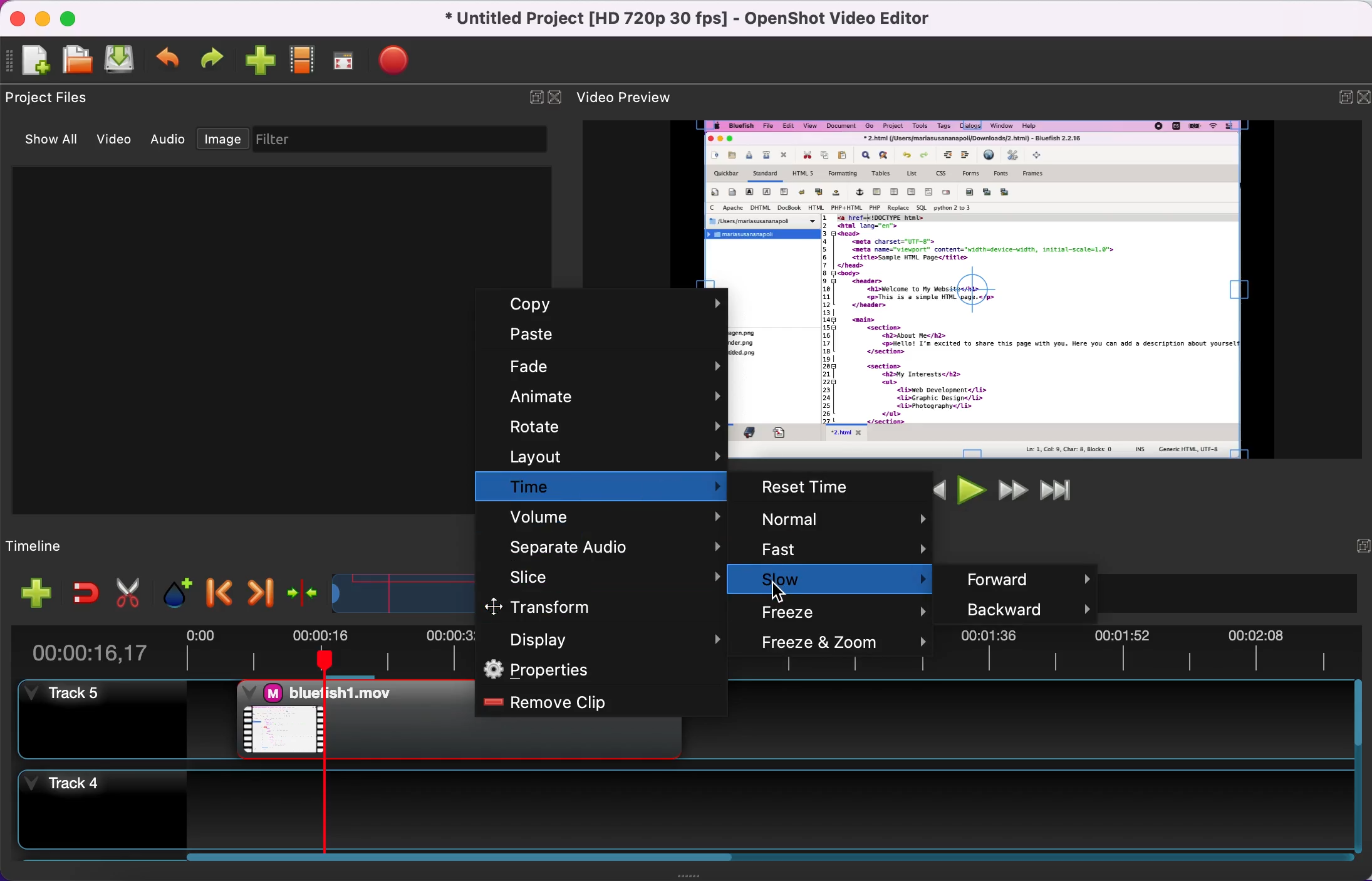 This screenshot has width=1372, height=881. Describe the element at coordinates (846, 610) in the screenshot. I see `freeze` at that location.